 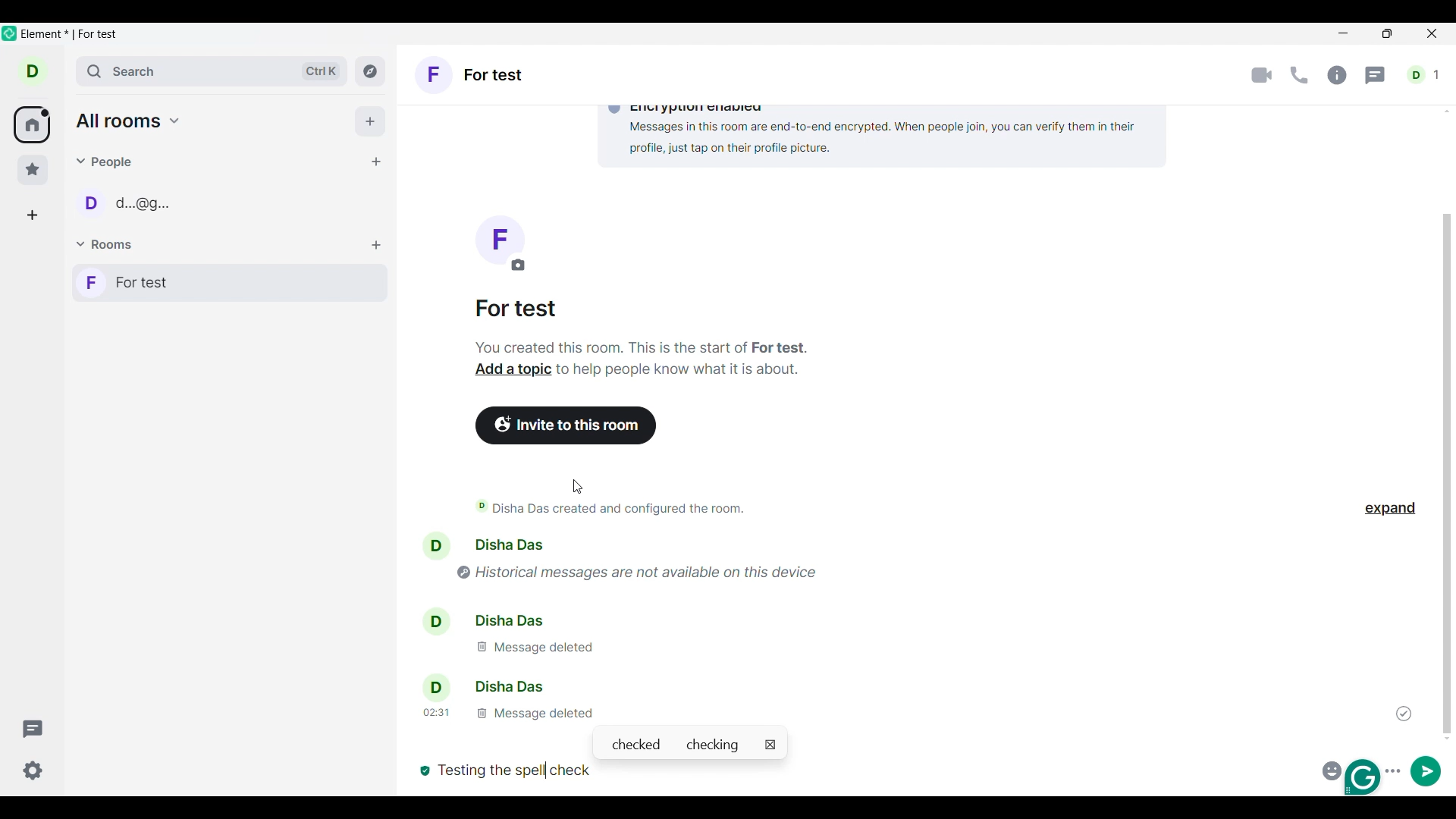 What do you see at coordinates (230, 283) in the screenshot?
I see `f for test` at bounding box center [230, 283].